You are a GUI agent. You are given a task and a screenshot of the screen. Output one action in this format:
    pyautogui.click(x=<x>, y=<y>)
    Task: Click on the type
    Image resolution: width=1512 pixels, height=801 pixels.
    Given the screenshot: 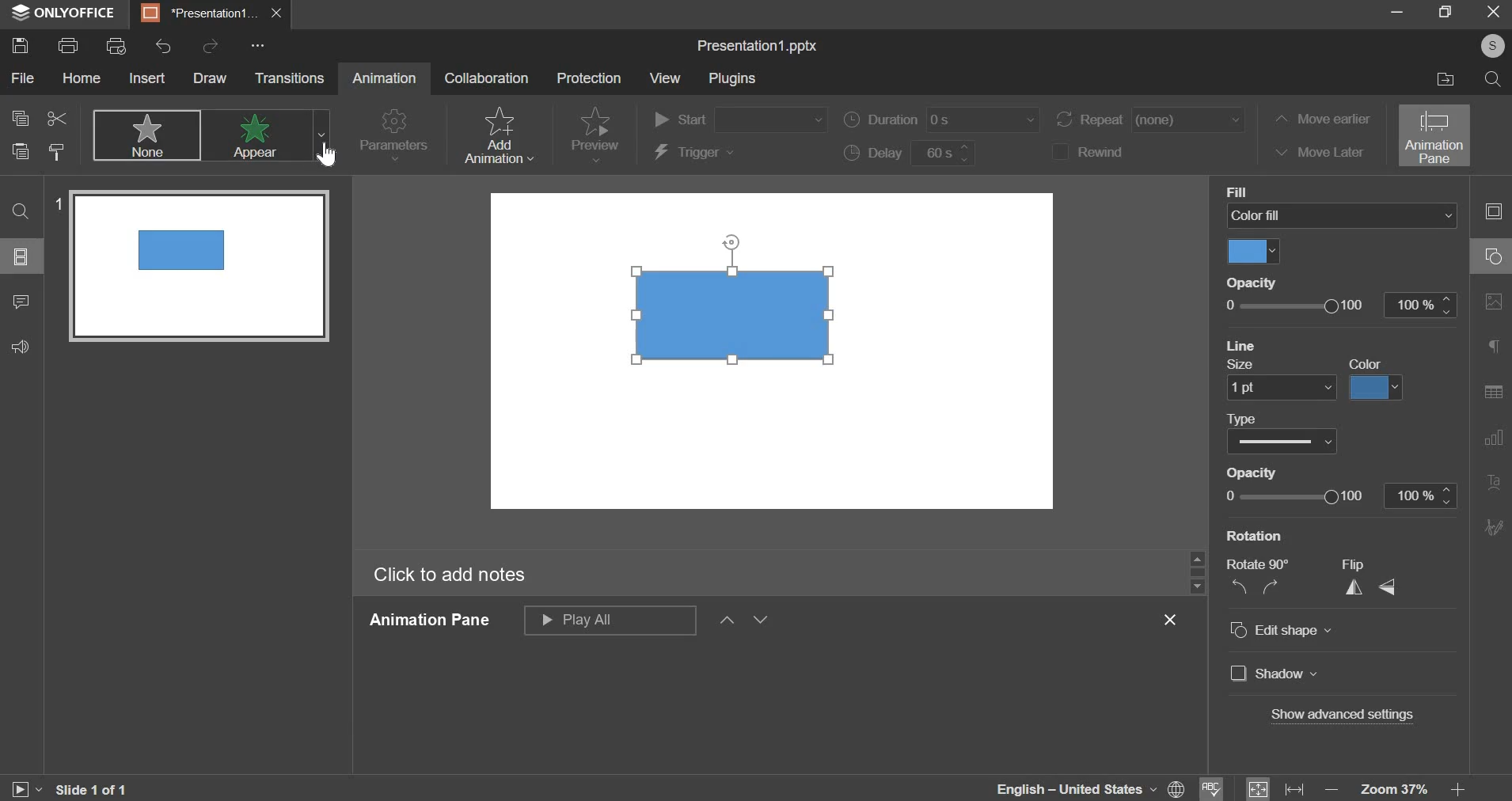 What is the action you would take?
    pyautogui.click(x=1284, y=440)
    